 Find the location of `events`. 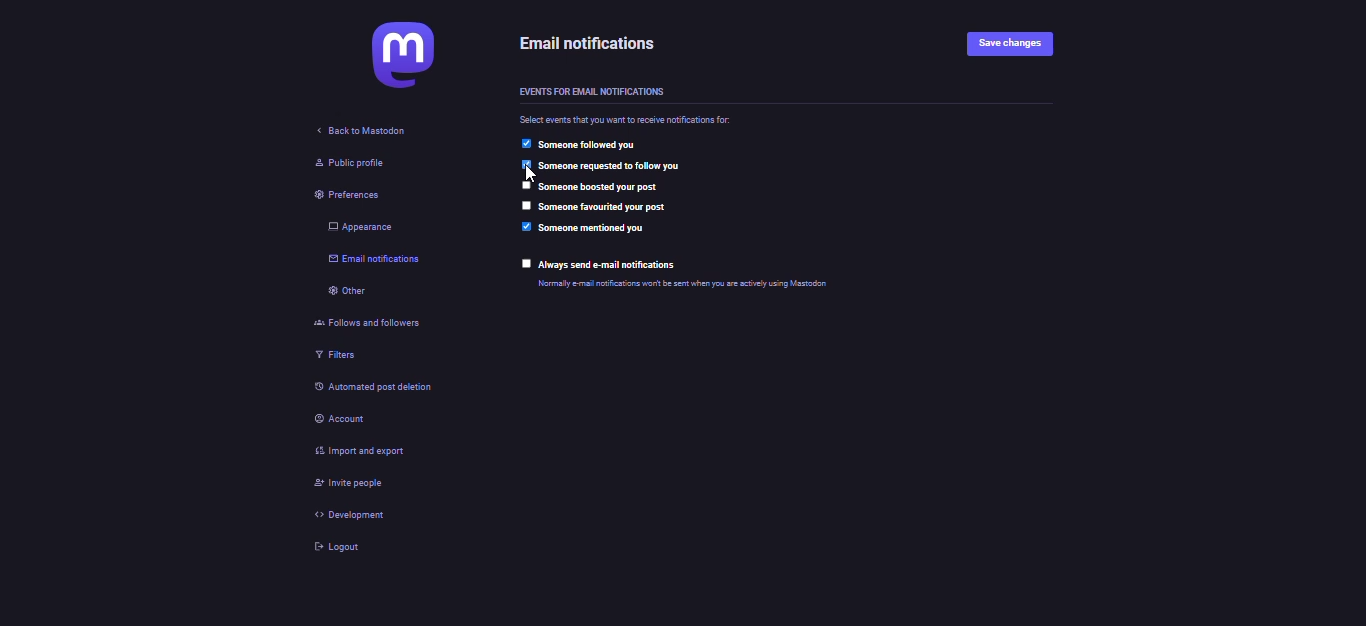

events is located at coordinates (594, 90).